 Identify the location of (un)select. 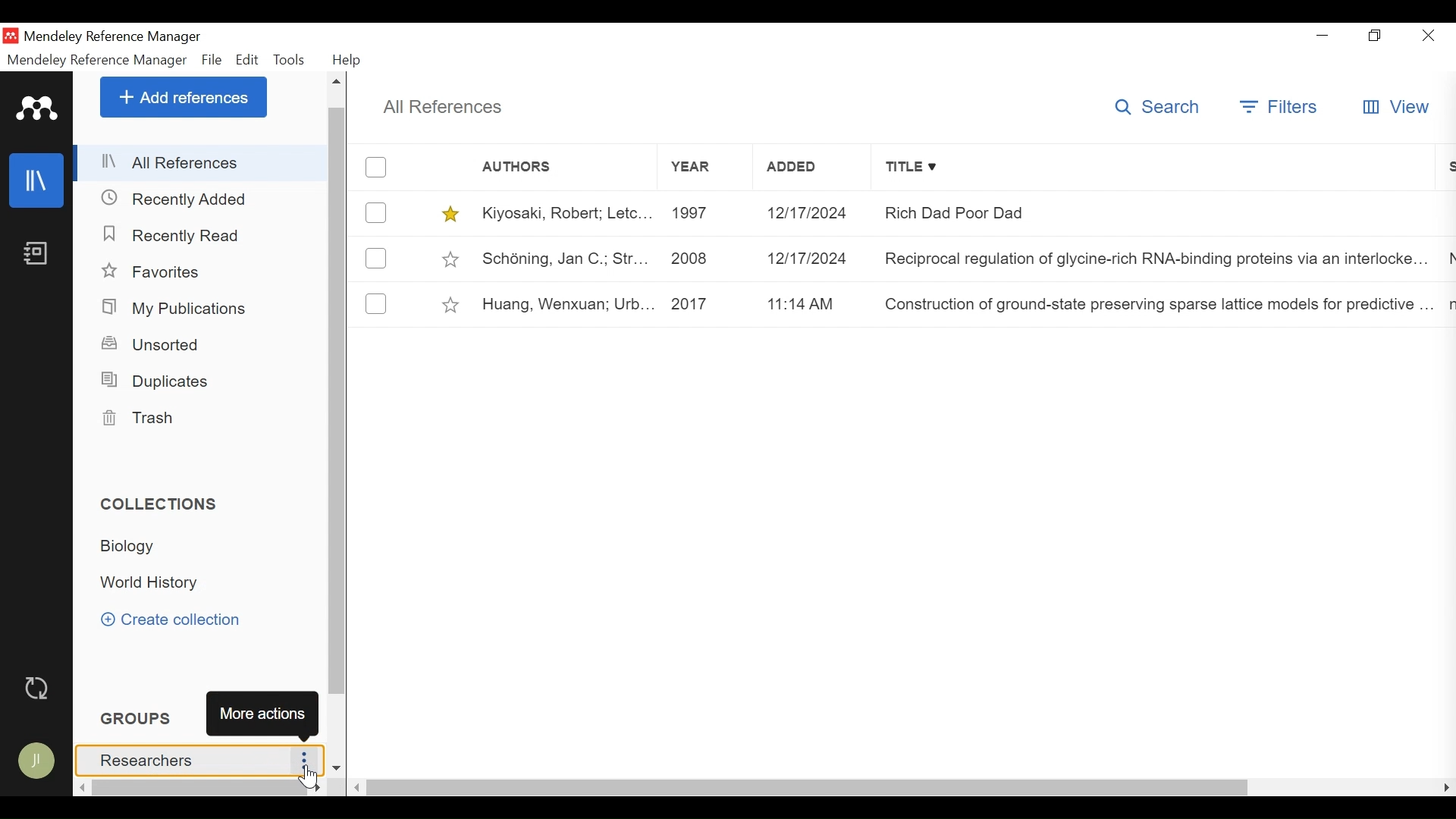
(378, 167).